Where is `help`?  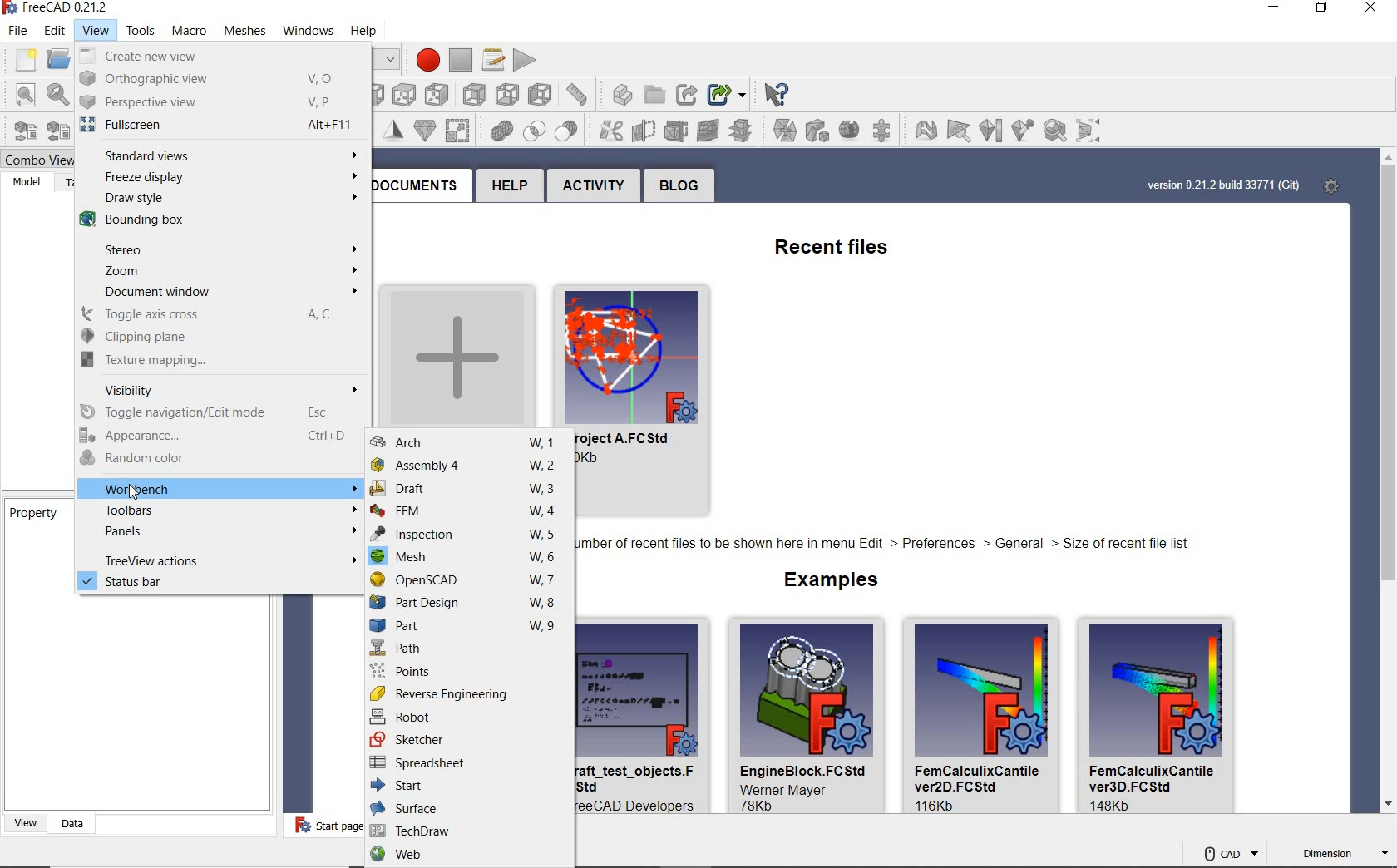
help is located at coordinates (508, 188).